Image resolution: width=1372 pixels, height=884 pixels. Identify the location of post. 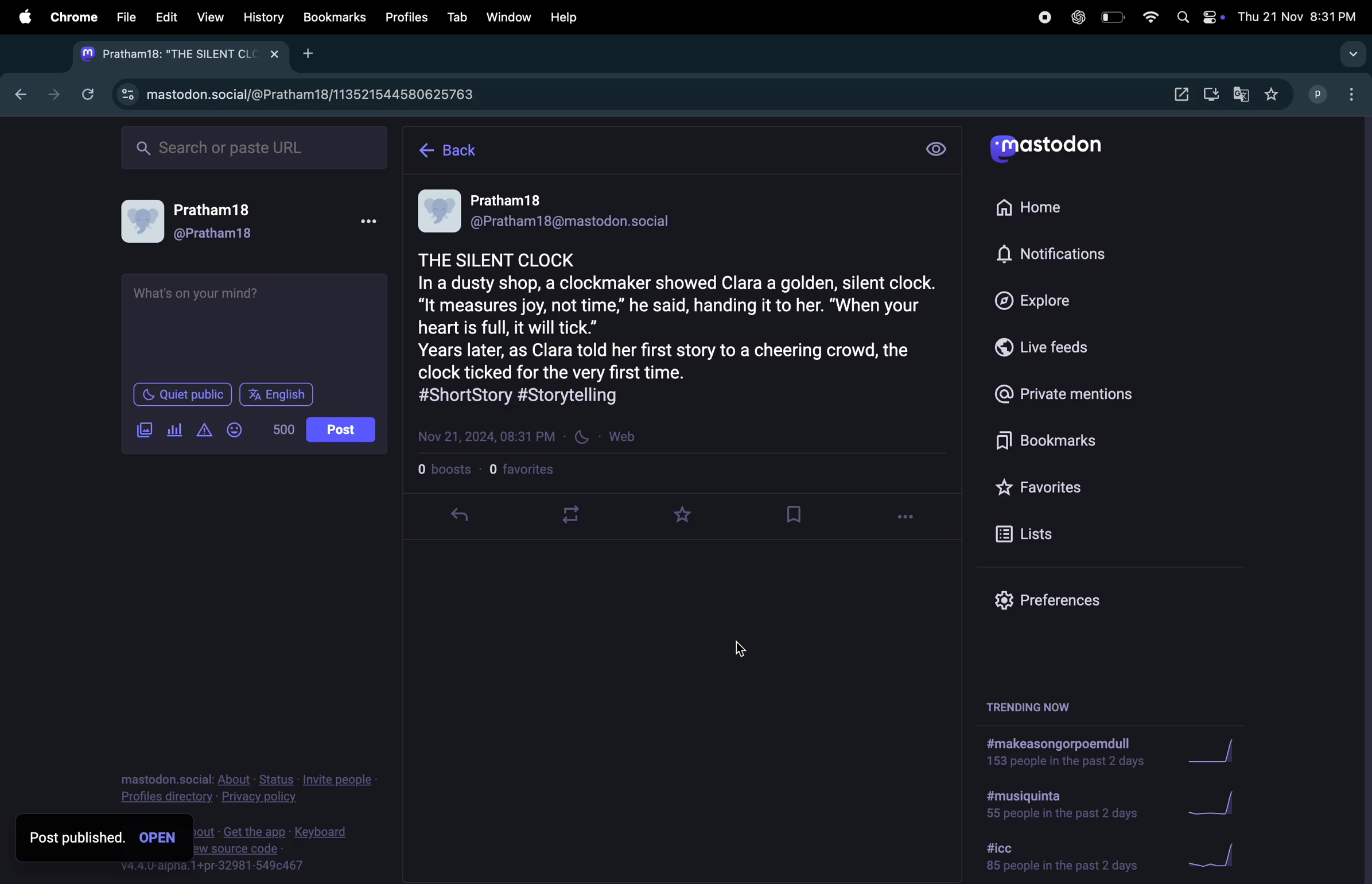
(339, 429).